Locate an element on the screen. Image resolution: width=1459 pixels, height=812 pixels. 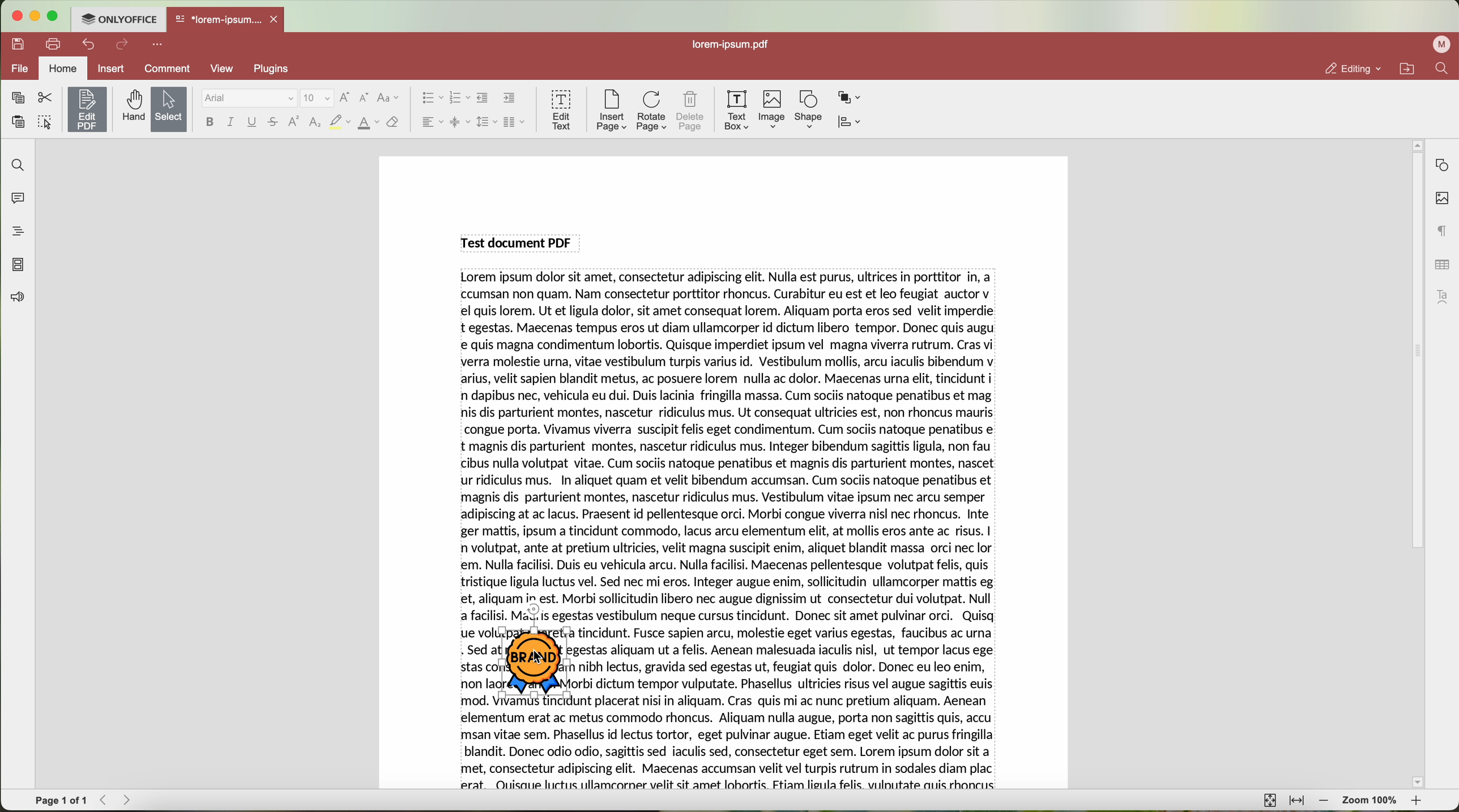
undo is located at coordinates (90, 44).